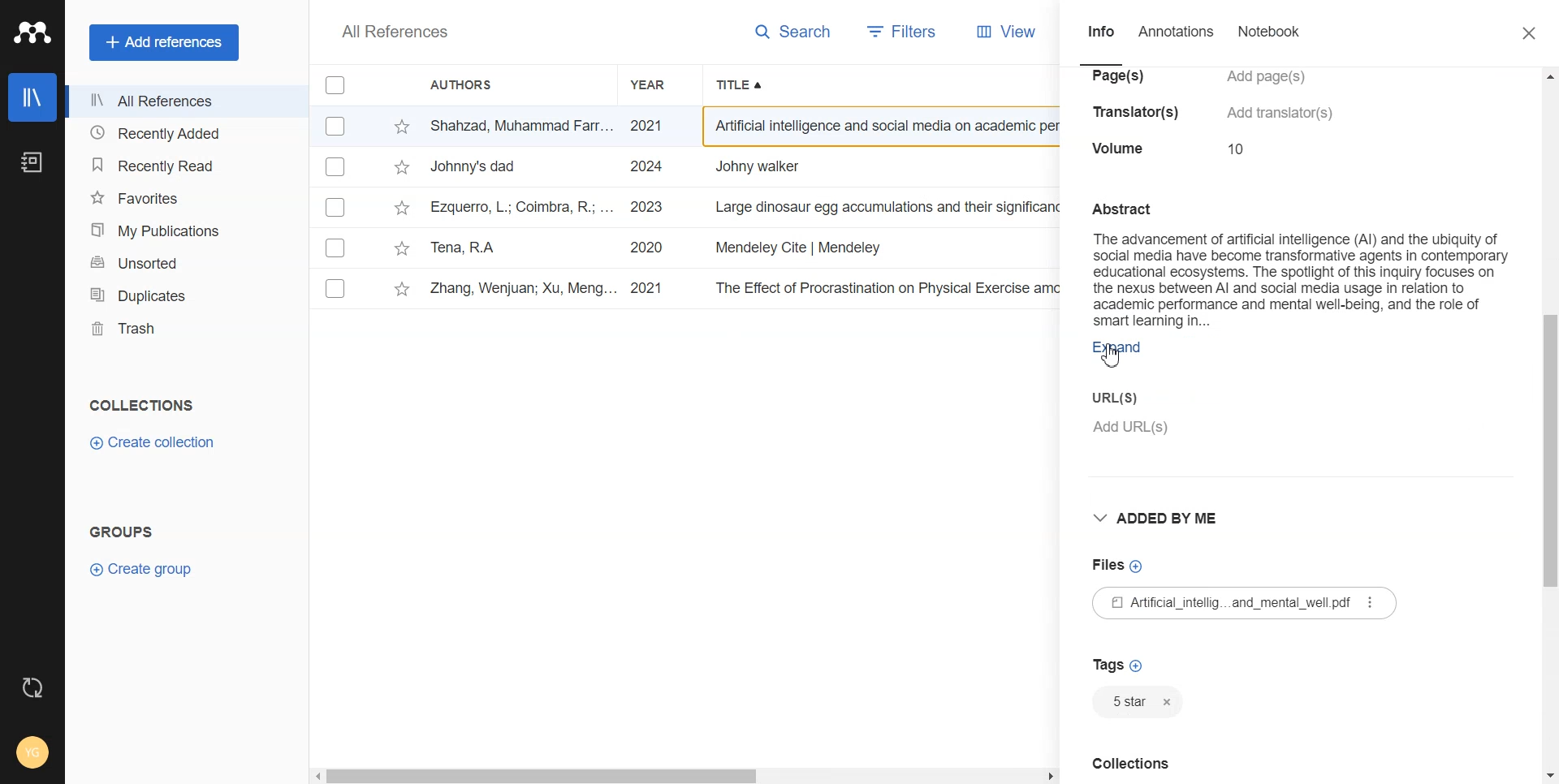 The height and width of the screenshot is (784, 1559). Describe the element at coordinates (32, 97) in the screenshot. I see `Library ` at that location.